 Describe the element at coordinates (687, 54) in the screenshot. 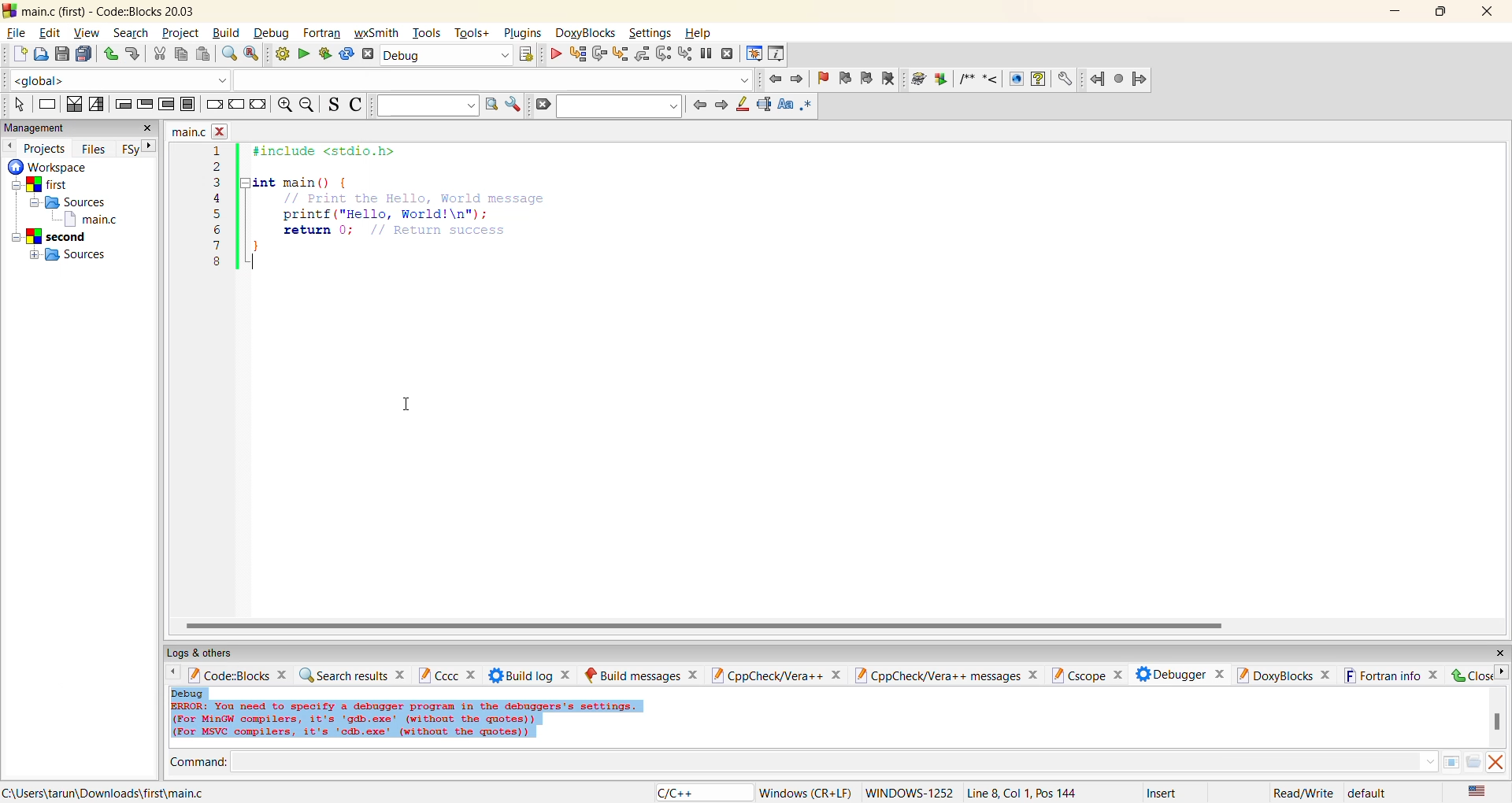

I see `step into instruction` at that location.